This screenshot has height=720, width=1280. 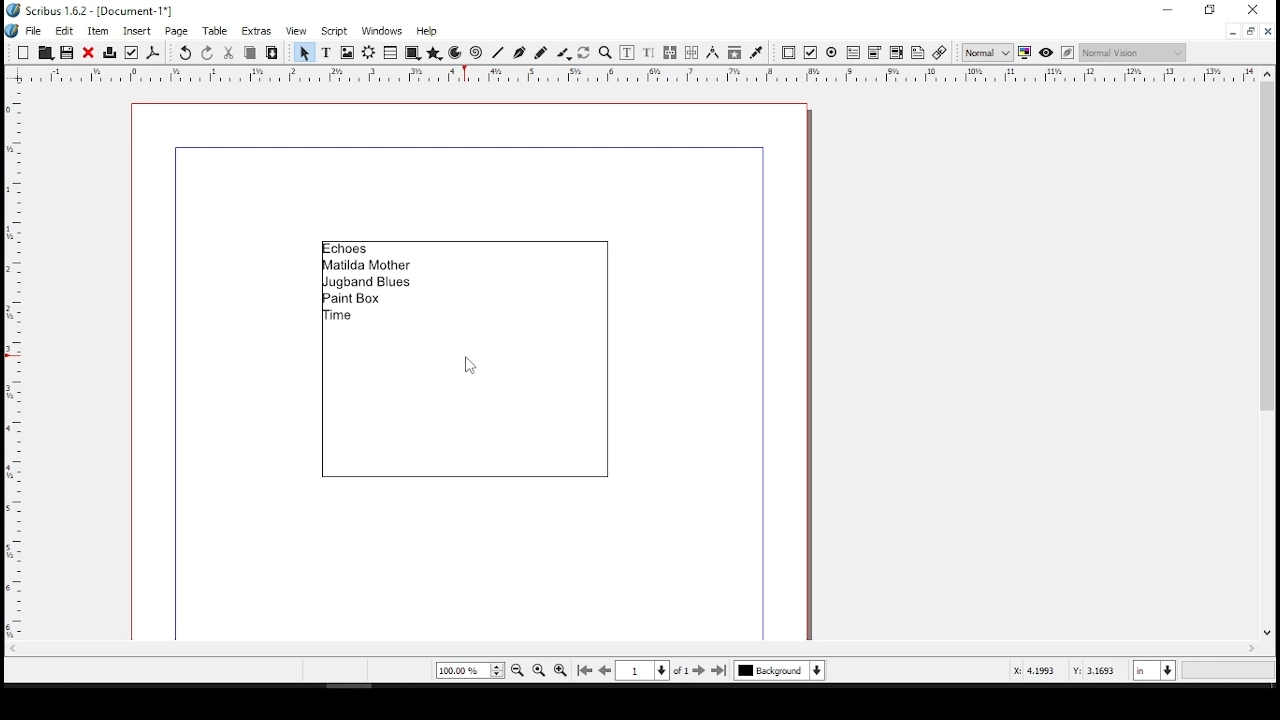 I want to click on zoom out, so click(x=517, y=670).